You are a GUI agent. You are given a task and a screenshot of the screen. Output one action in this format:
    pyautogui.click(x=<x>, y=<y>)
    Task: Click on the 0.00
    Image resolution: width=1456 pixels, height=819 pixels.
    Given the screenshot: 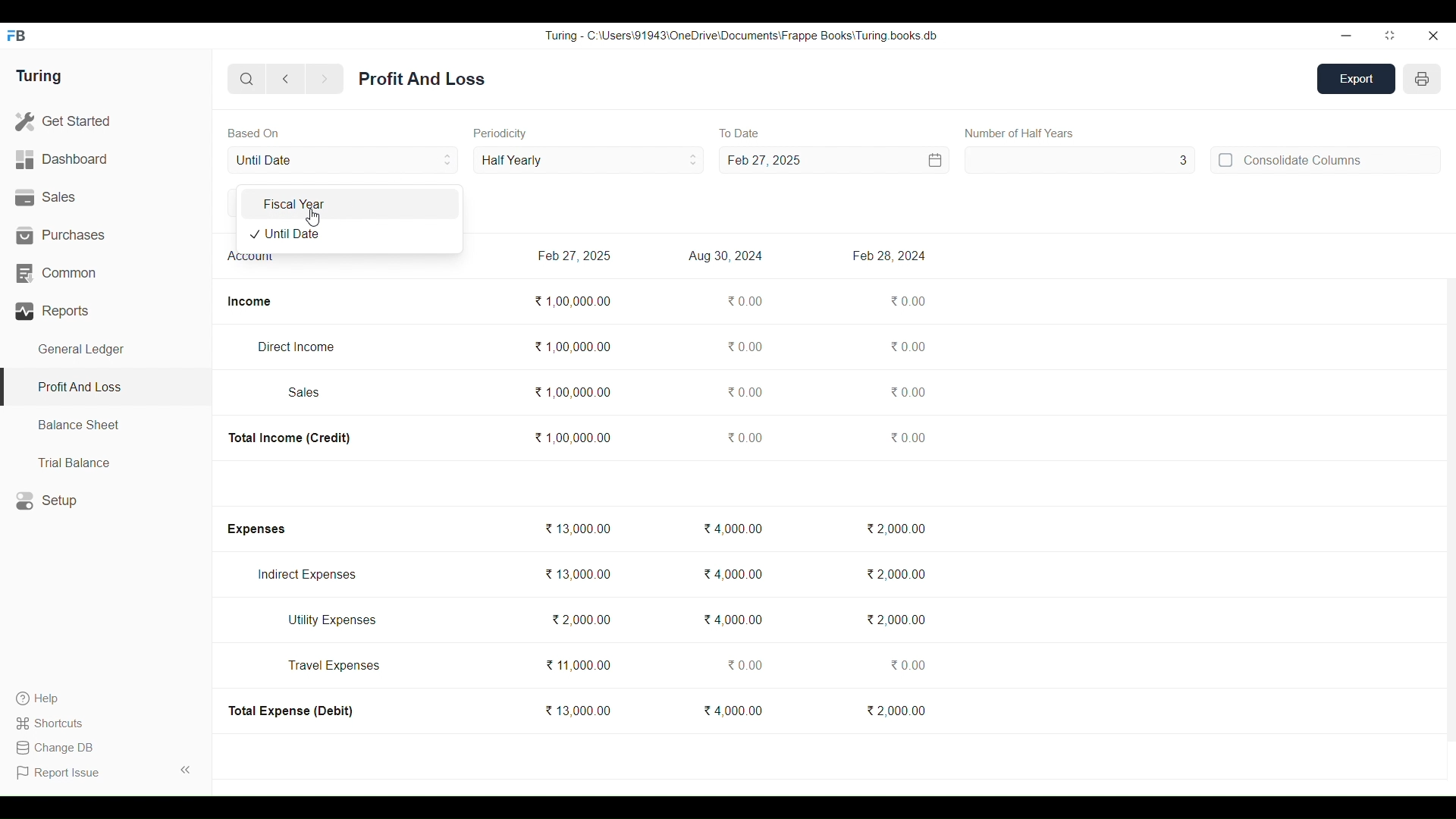 What is the action you would take?
    pyautogui.click(x=906, y=664)
    